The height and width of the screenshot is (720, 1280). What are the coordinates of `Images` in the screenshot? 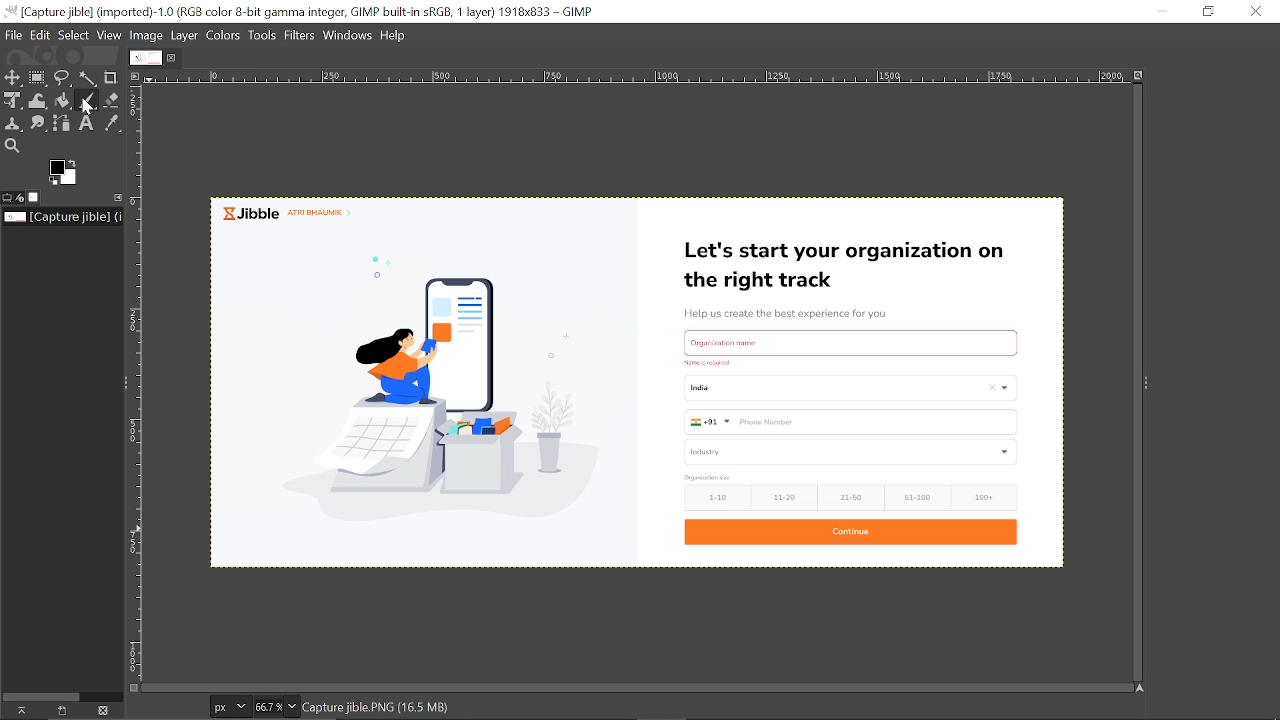 It's located at (37, 197).